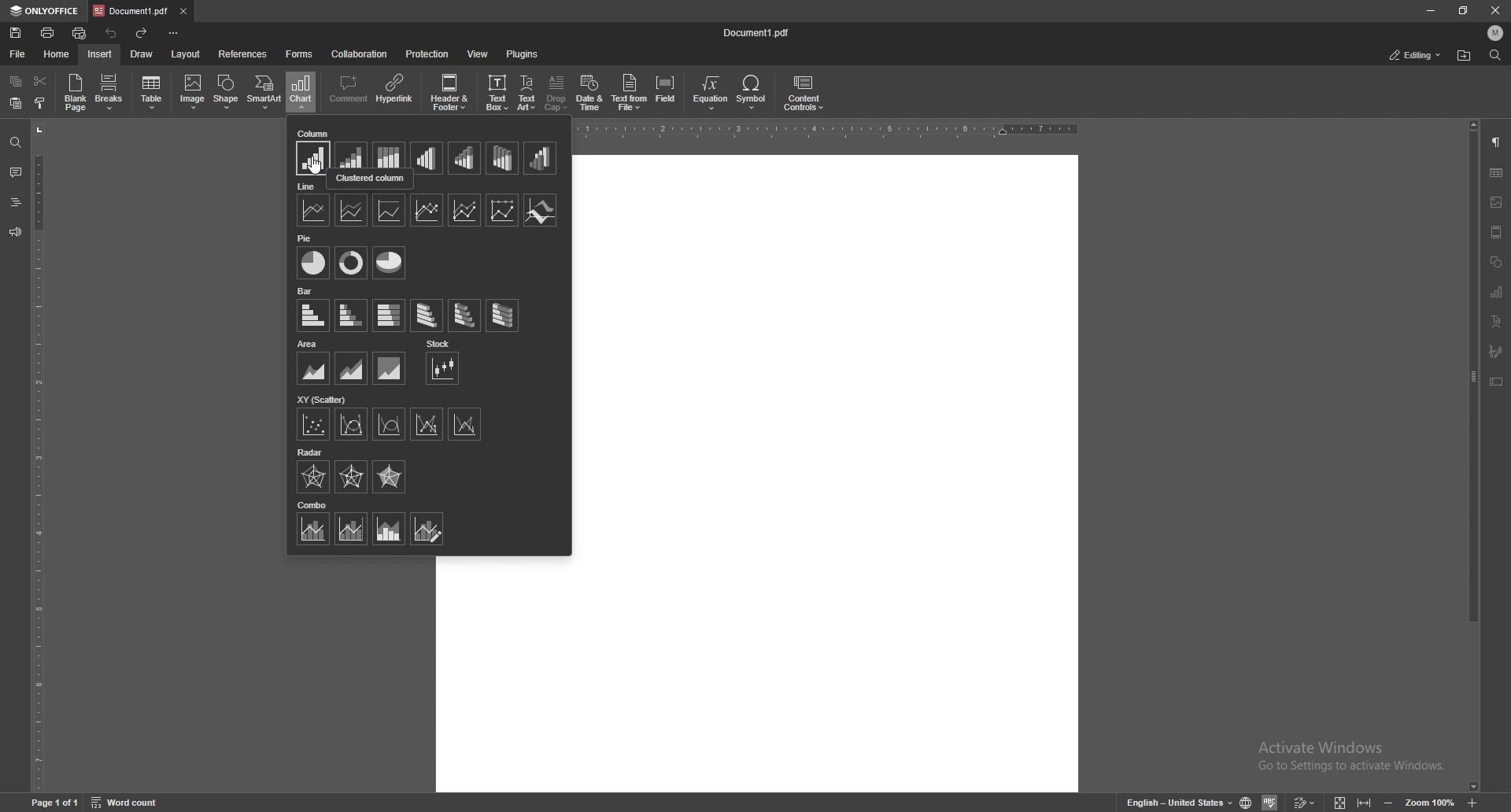  Describe the element at coordinates (503, 315) in the screenshot. I see `3-D 100% stacked bar` at that location.